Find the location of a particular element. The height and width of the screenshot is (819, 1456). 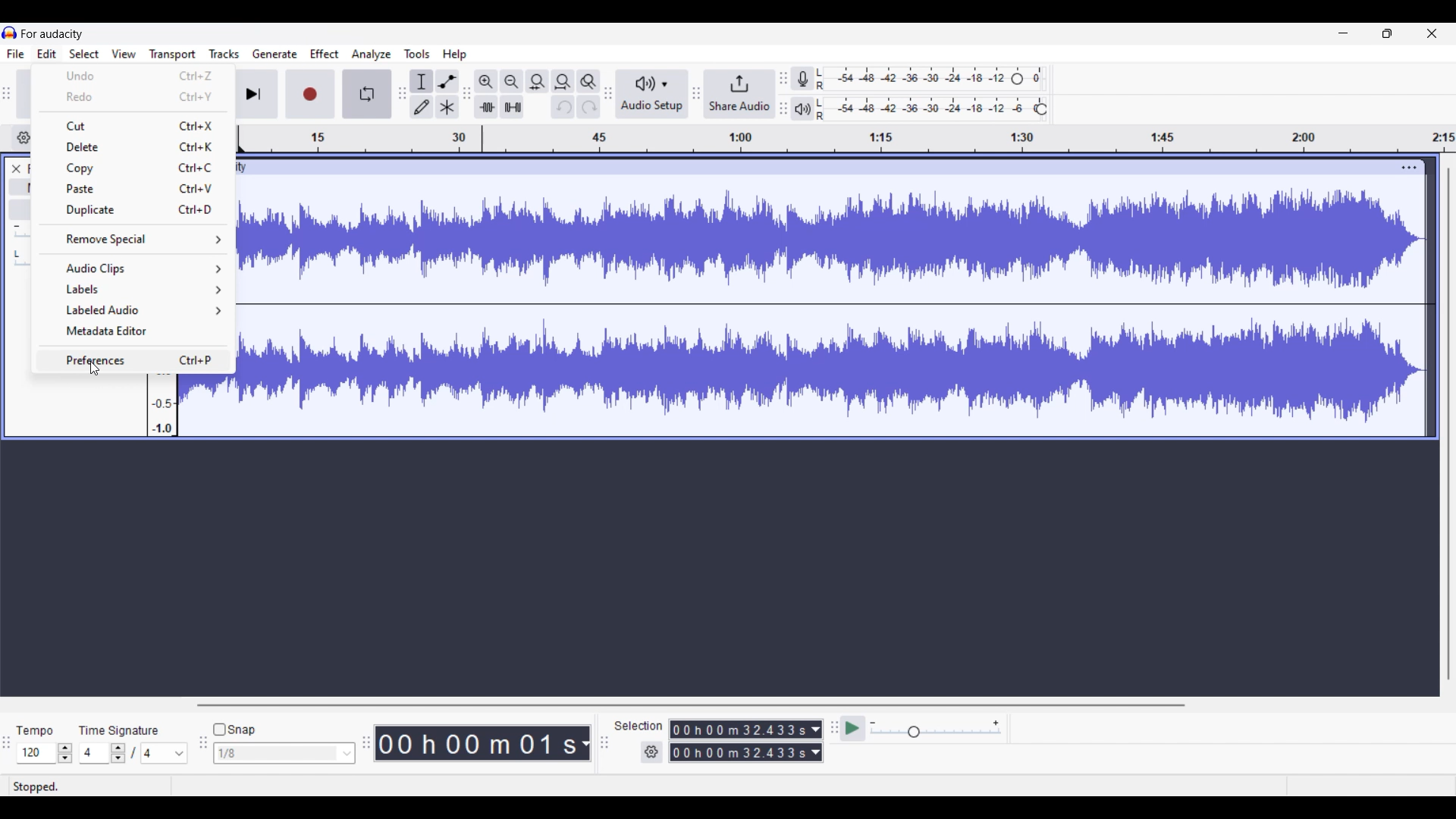

Indicates time signature settings is located at coordinates (119, 730).